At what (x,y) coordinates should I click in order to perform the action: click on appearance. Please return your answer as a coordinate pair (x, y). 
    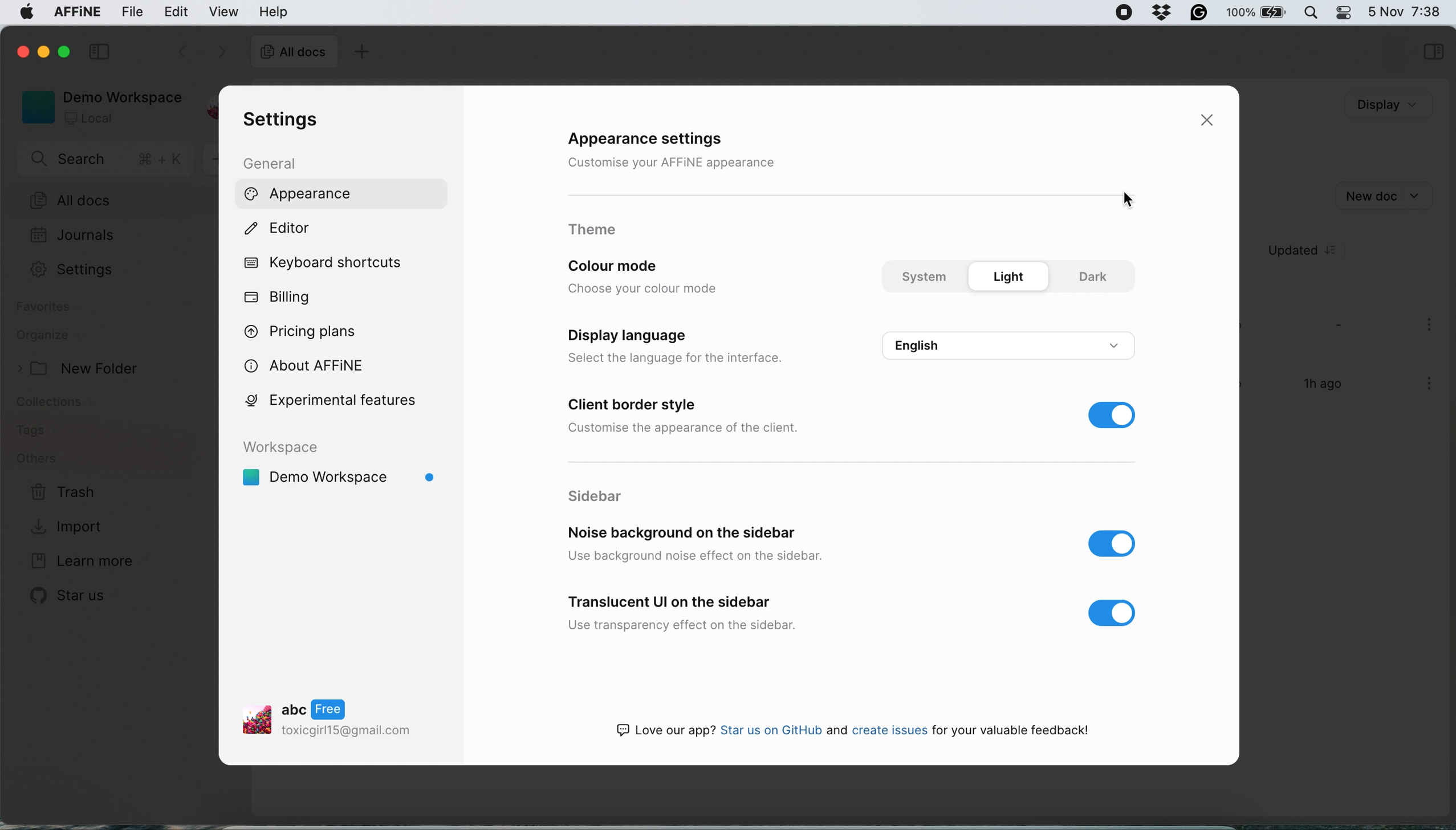
    Looking at the image, I should click on (300, 195).